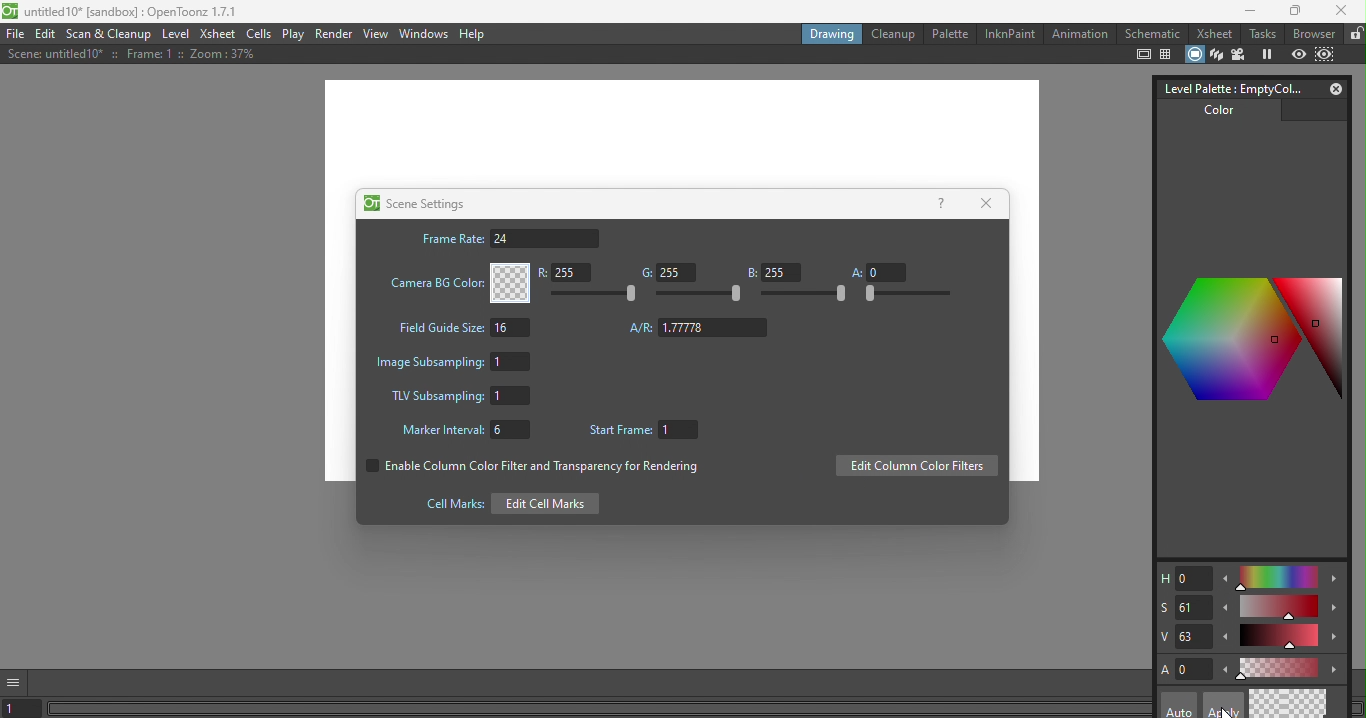  I want to click on Preview, so click(1299, 54).